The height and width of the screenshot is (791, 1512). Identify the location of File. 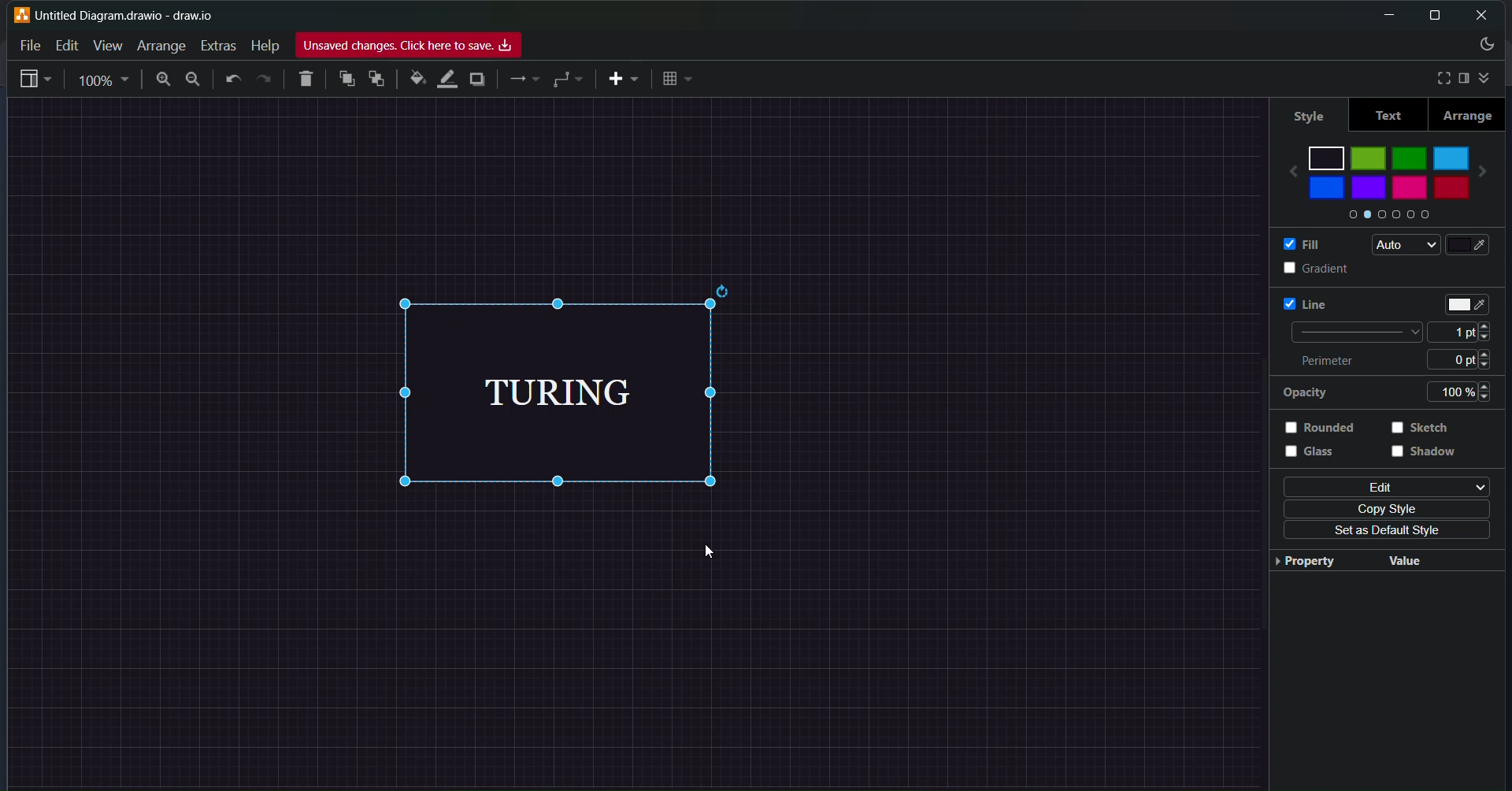
(30, 43).